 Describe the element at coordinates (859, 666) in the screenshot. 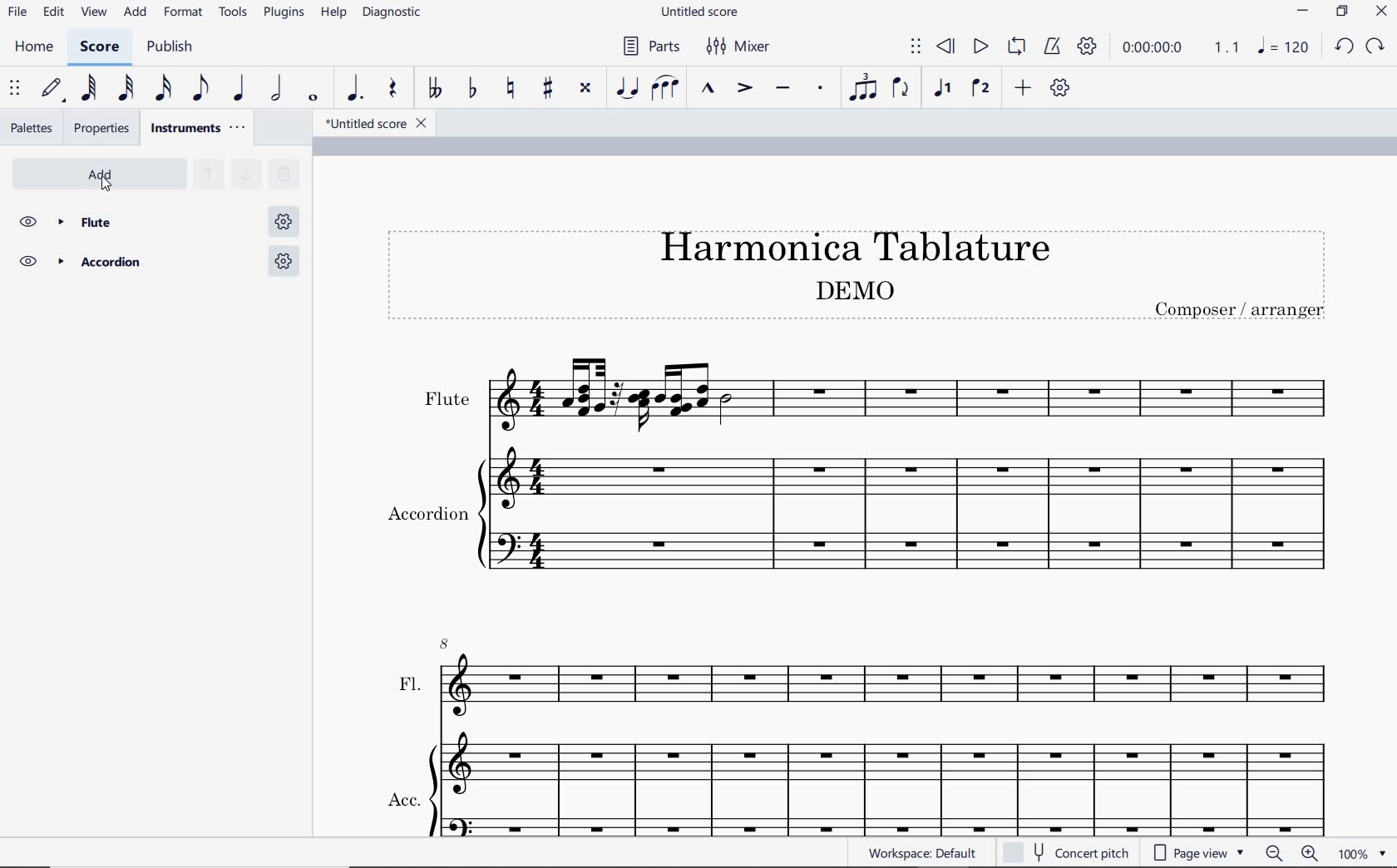

I see `FL` at that location.